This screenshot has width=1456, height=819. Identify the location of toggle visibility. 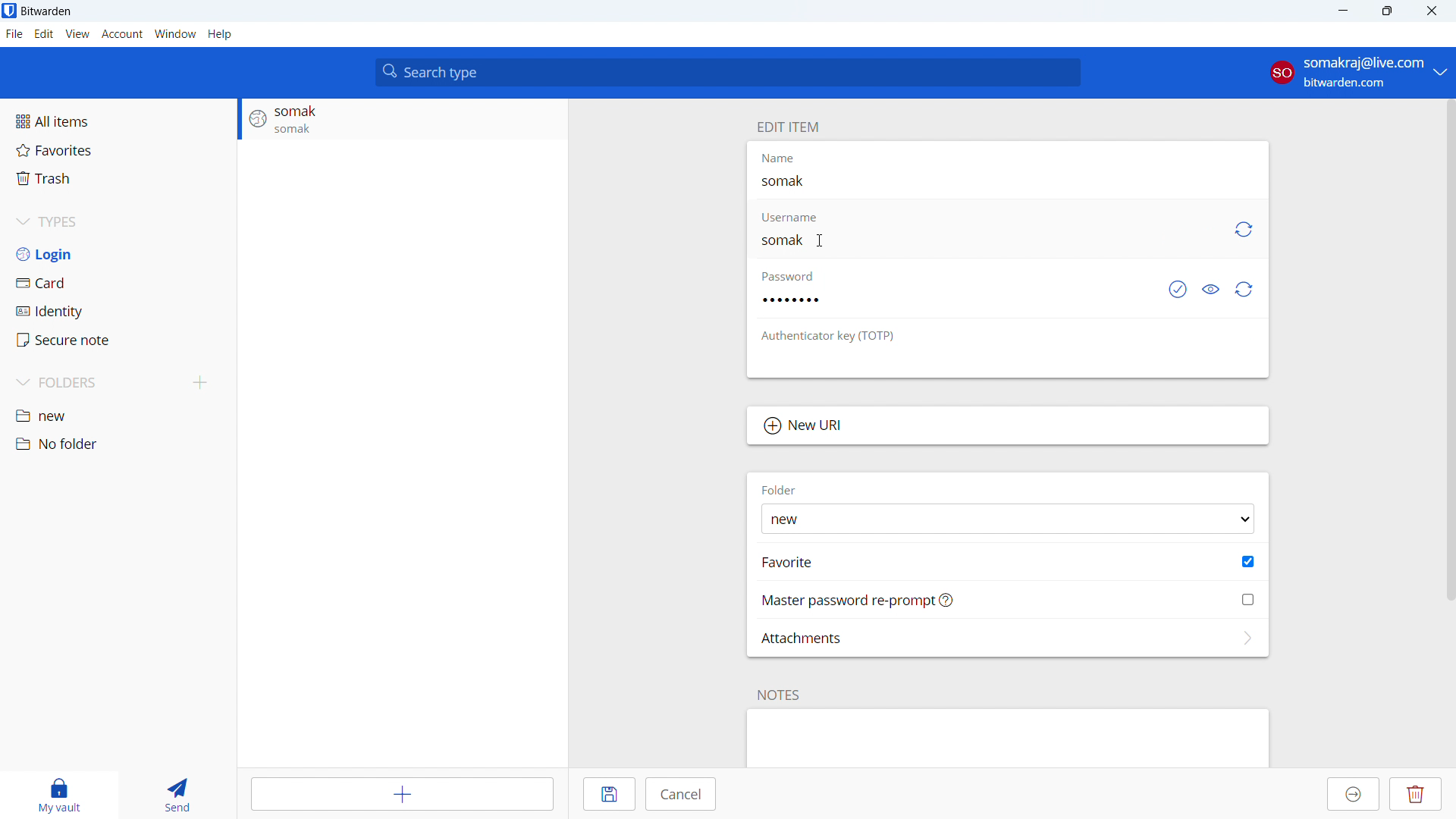
(1213, 288).